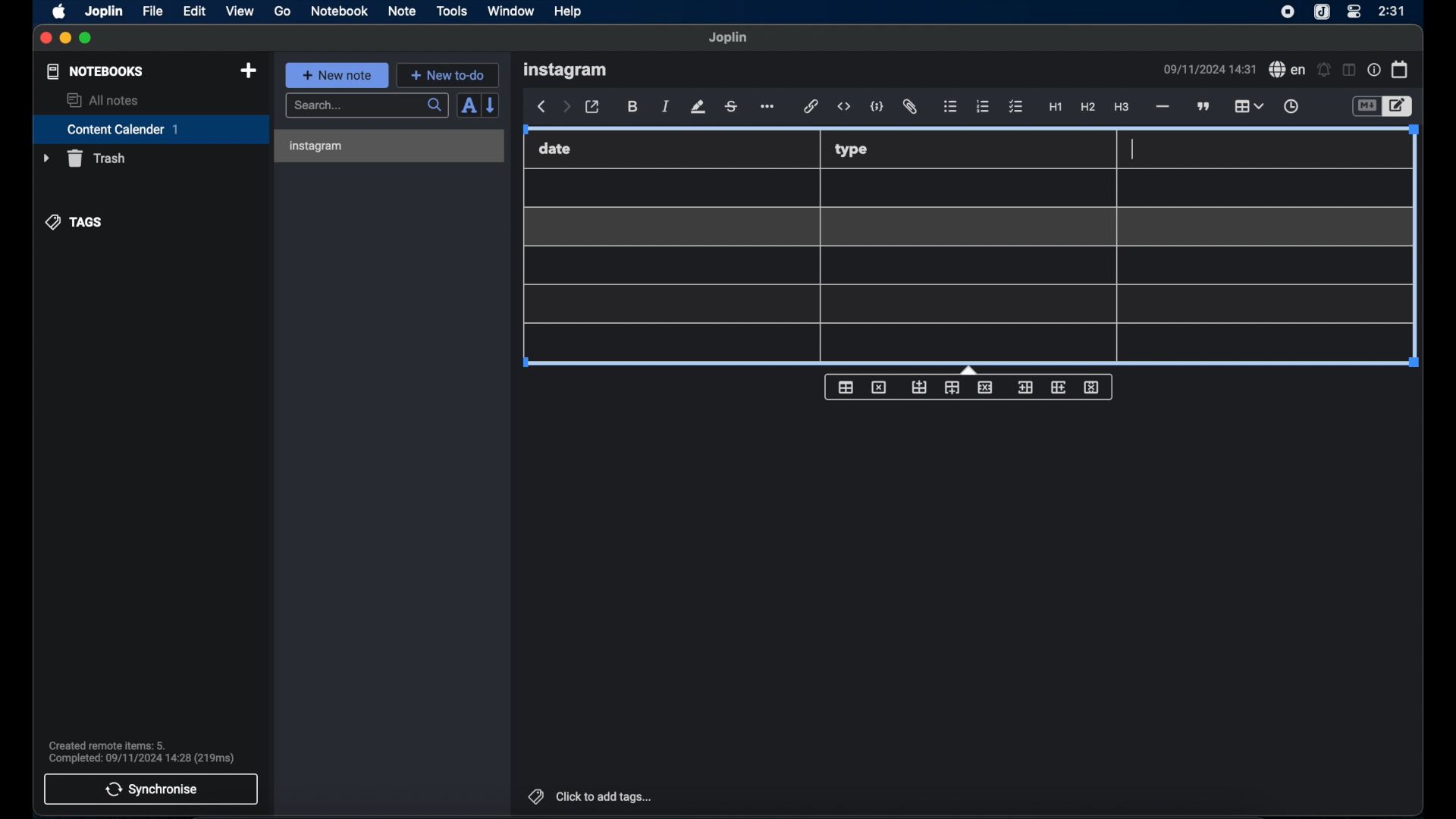  Describe the element at coordinates (1134, 149) in the screenshot. I see `cursor` at that location.